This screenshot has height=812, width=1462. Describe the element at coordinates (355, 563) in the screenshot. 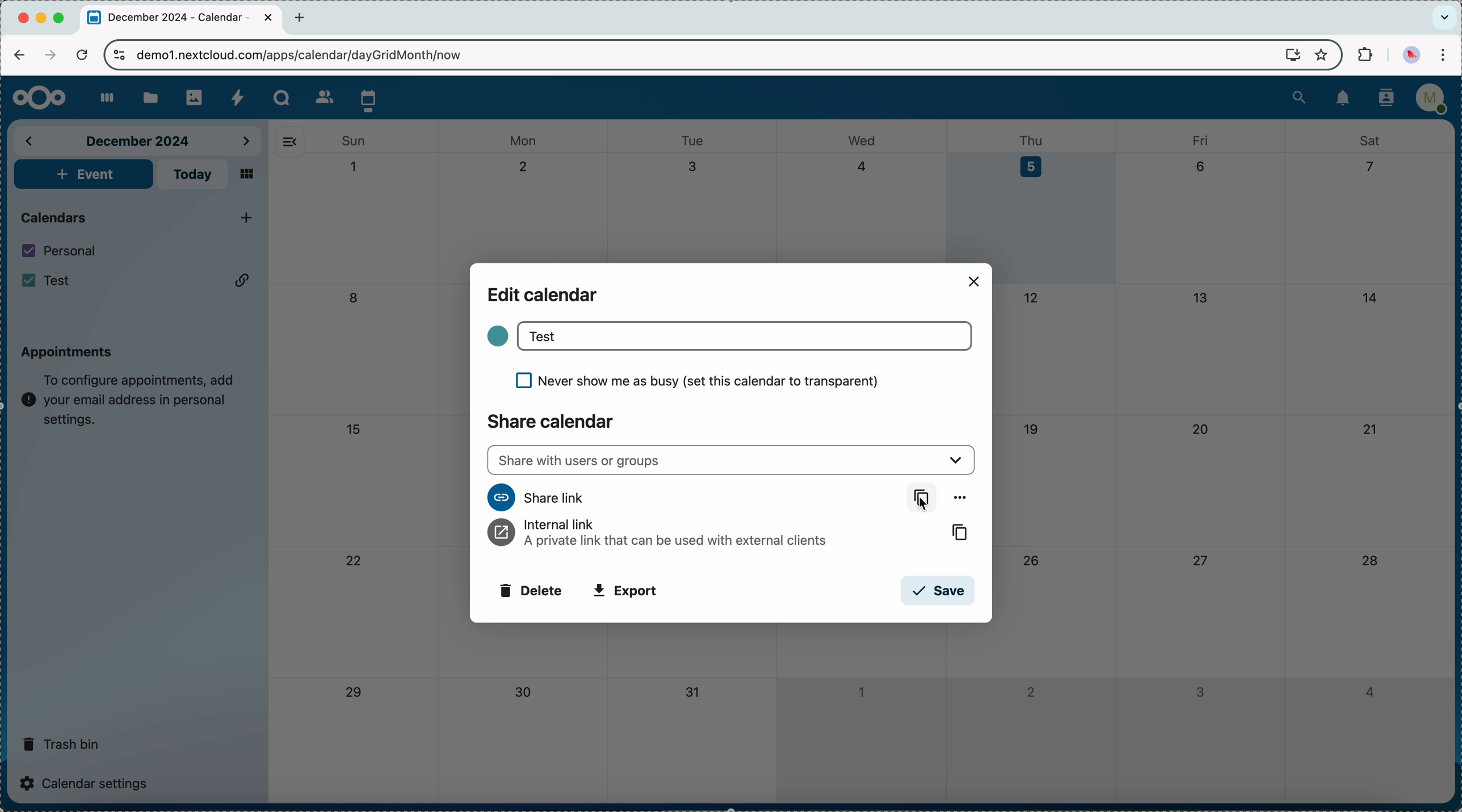

I see `22` at that location.